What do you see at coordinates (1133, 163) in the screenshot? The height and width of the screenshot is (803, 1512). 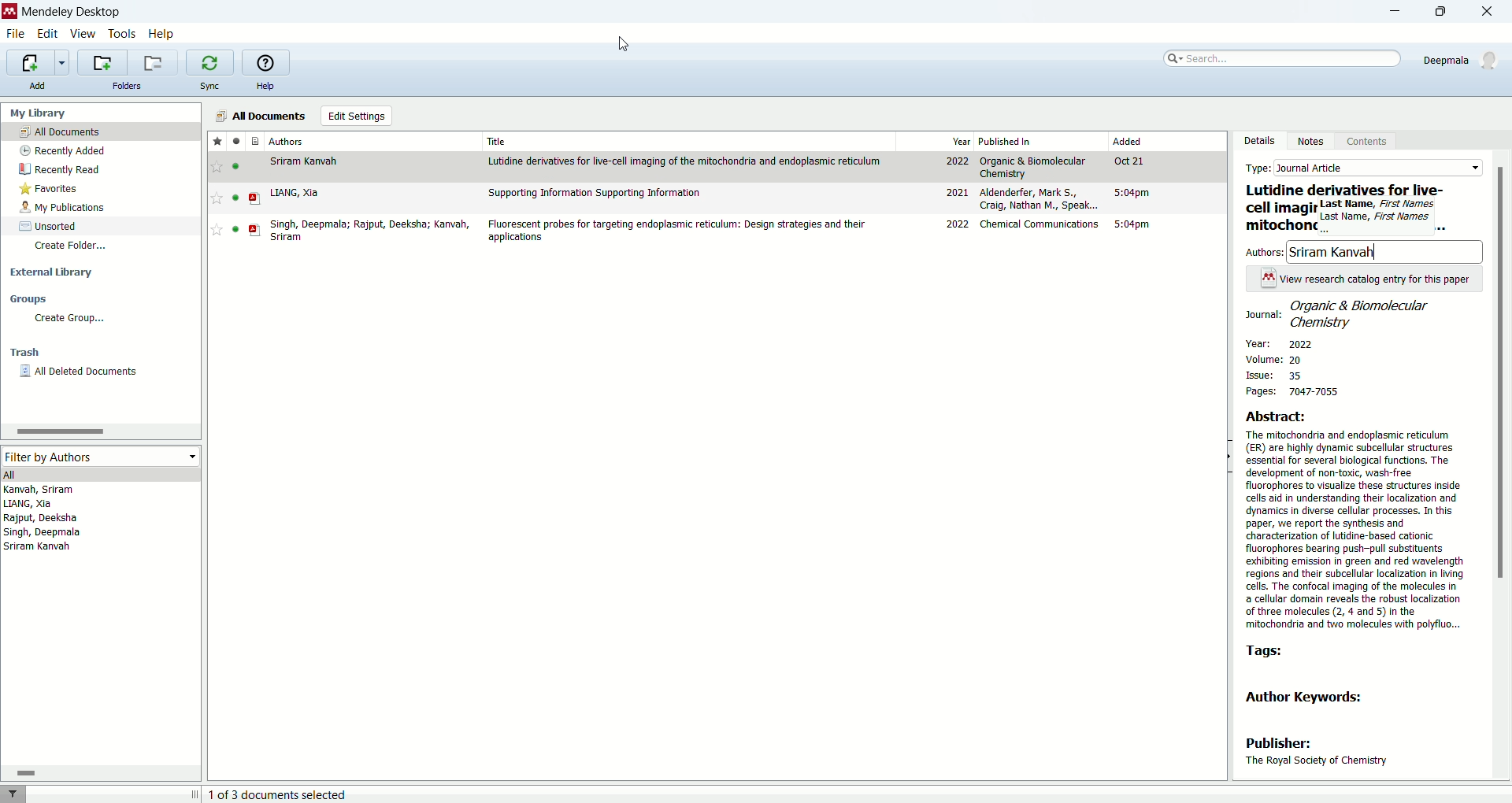 I see `Oct 21` at bounding box center [1133, 163].